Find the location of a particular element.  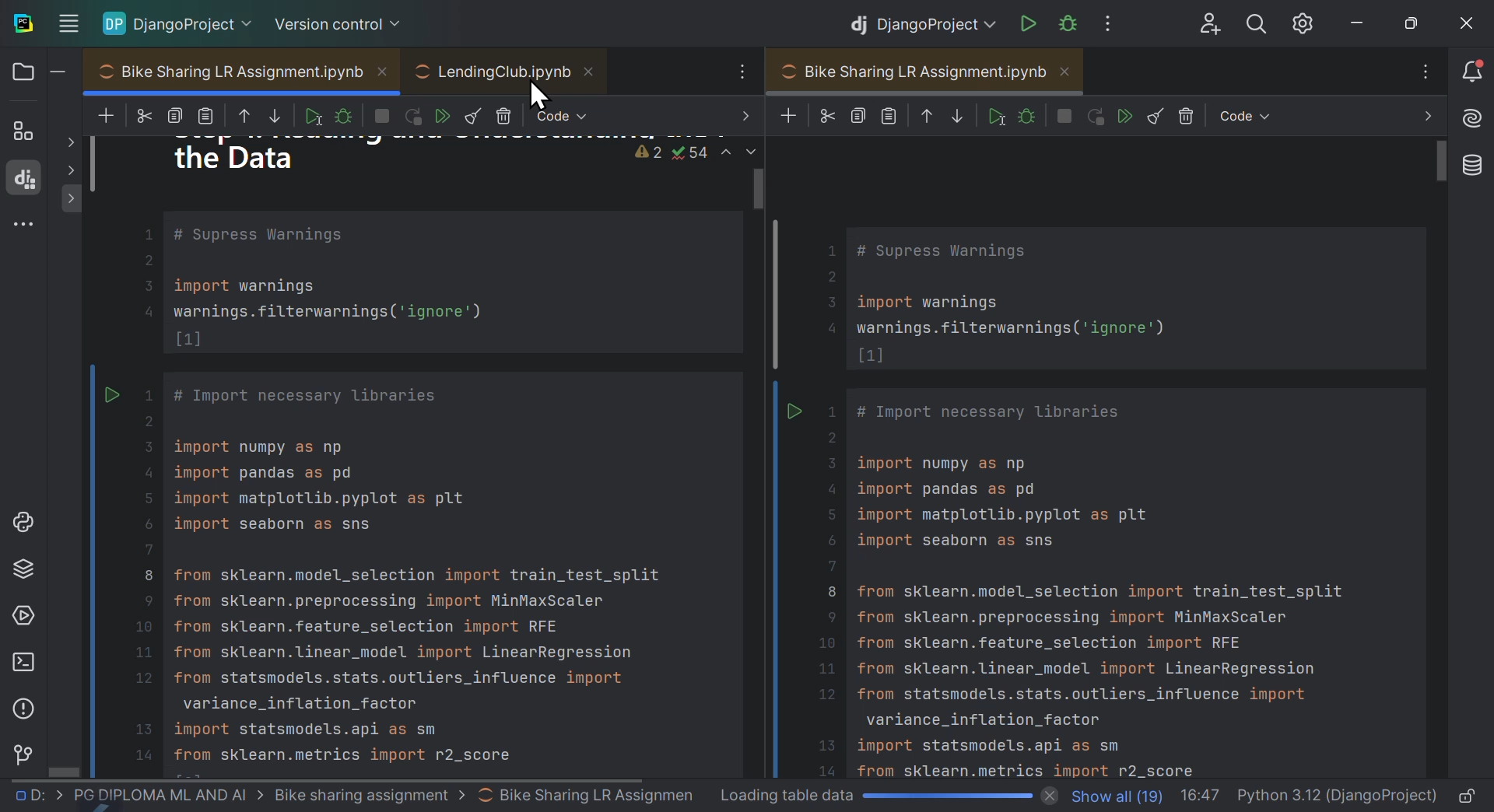

paste is located at coordinates (209, 115).